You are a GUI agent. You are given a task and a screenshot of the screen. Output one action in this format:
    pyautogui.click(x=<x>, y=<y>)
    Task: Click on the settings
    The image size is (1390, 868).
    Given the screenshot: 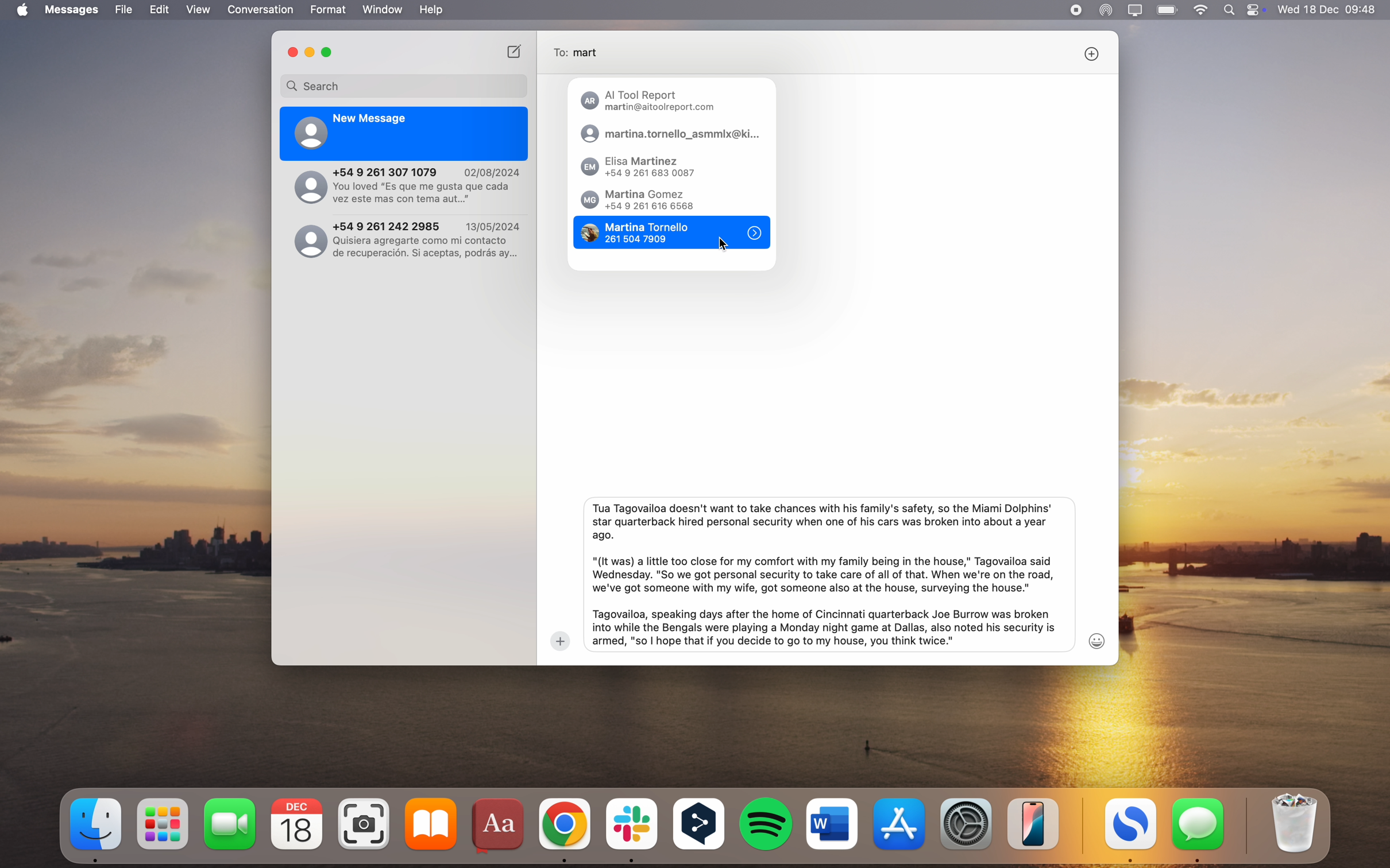 What is the action you would take?
    pyautogui.click(x=968, y=822)
    